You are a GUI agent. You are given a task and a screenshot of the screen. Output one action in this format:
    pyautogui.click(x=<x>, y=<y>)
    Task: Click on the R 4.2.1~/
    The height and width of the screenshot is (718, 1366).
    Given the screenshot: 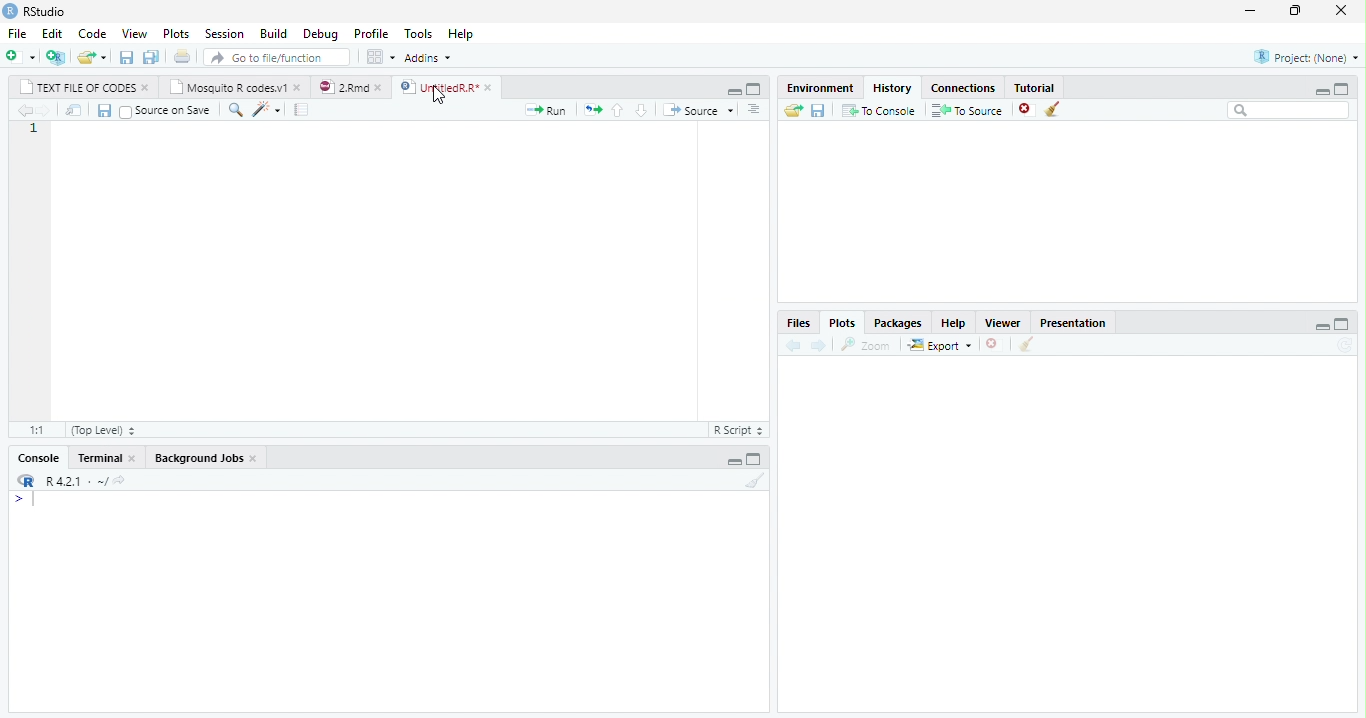 What is the action you would take?
    pyautogui.click(x=75, y=481)
    